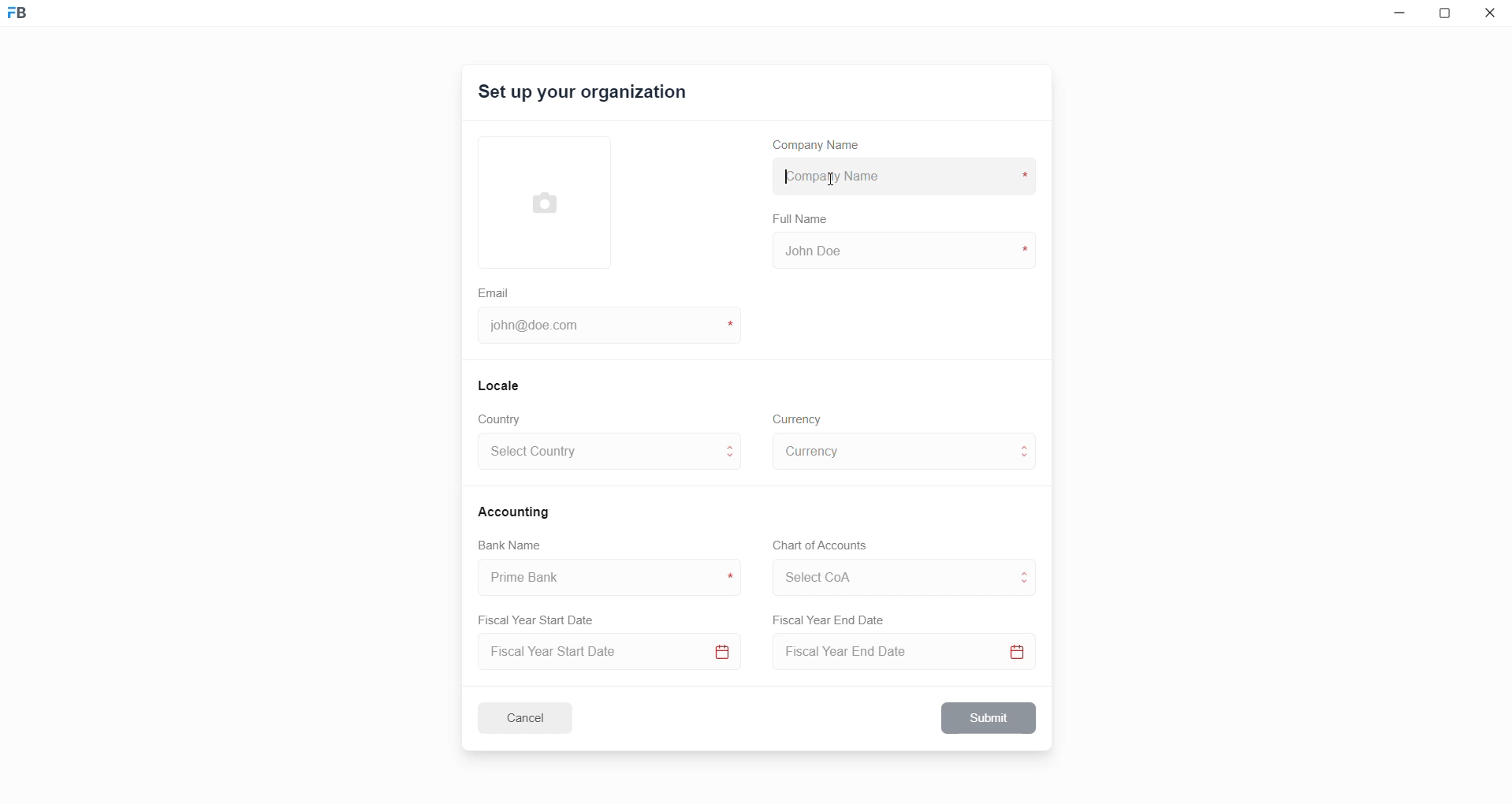  I want to click on select CoA, so click(886, 575).